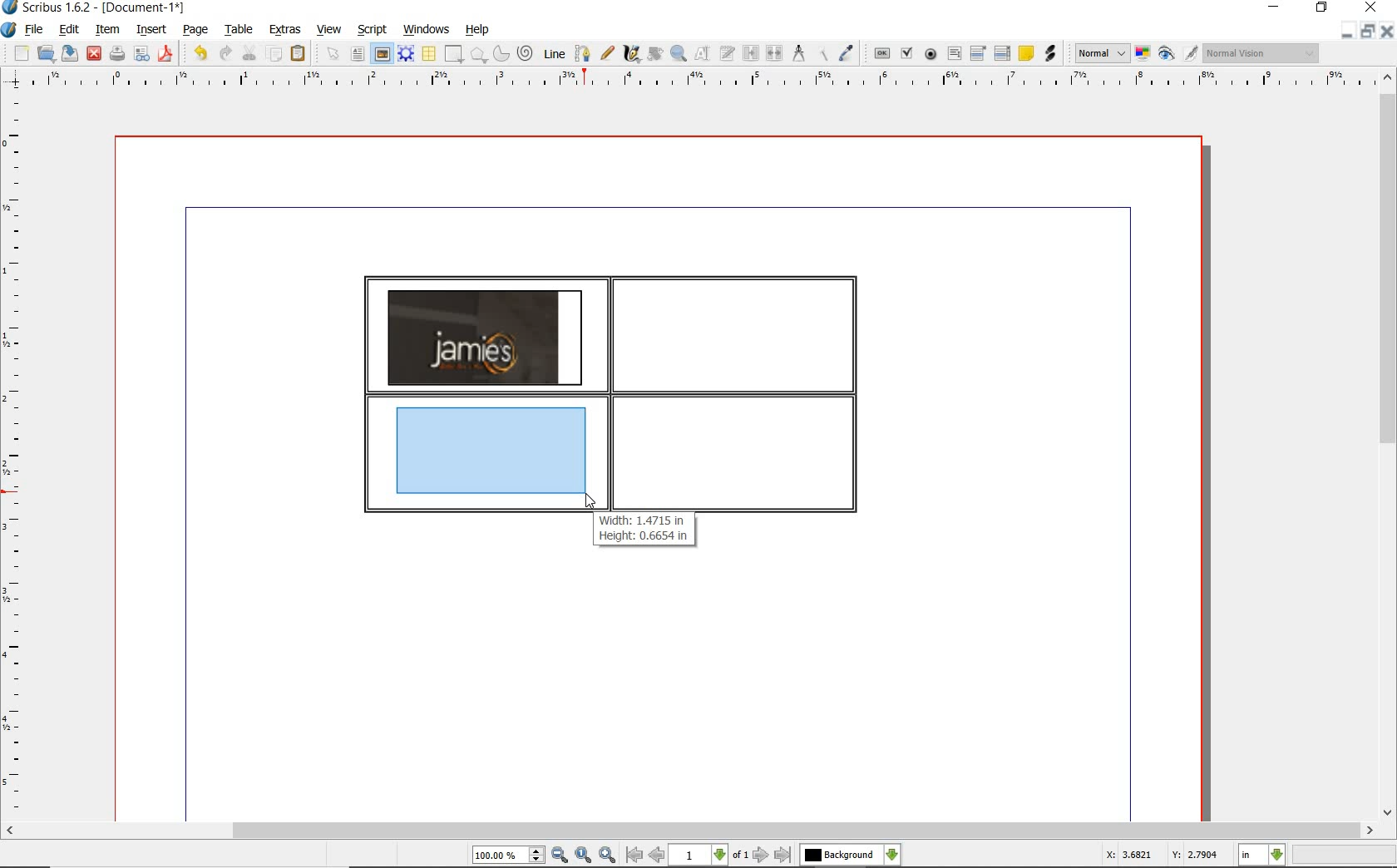 Image resolution: width=1397 pixels, height=868 pixels. What do you see at coordinates (71, 52) in the screenshot?
I see `save` at bounding box center [71, 52].